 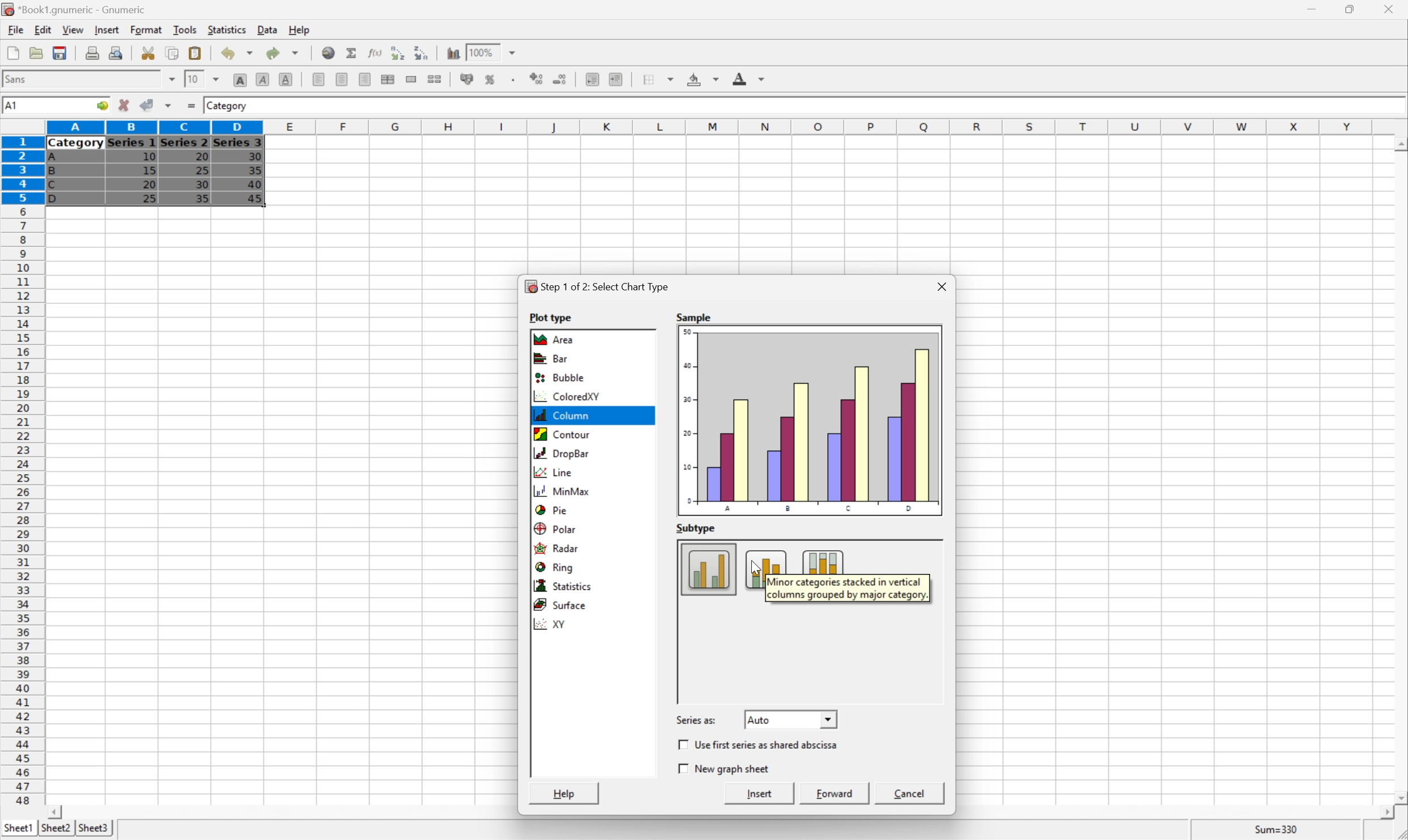 I want to click on Scroll Left, so click(x=57, y=812).